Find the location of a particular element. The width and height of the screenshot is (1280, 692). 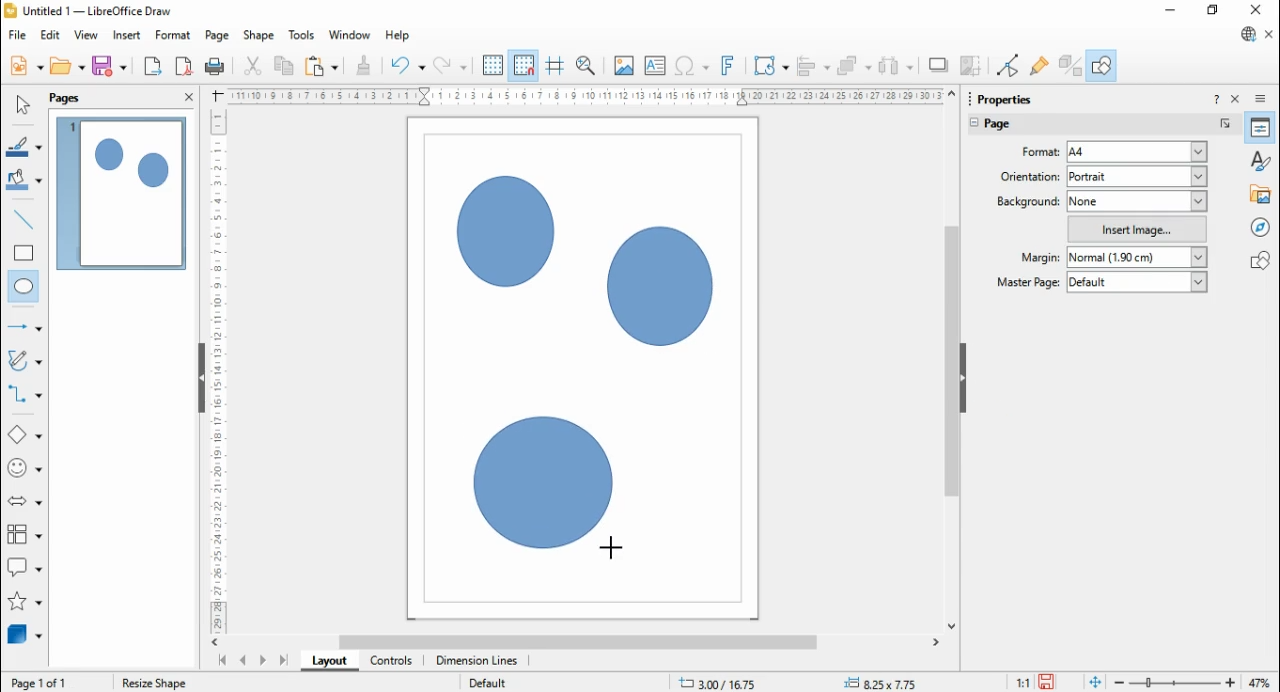

crop image is located at coordinates (973, 66).